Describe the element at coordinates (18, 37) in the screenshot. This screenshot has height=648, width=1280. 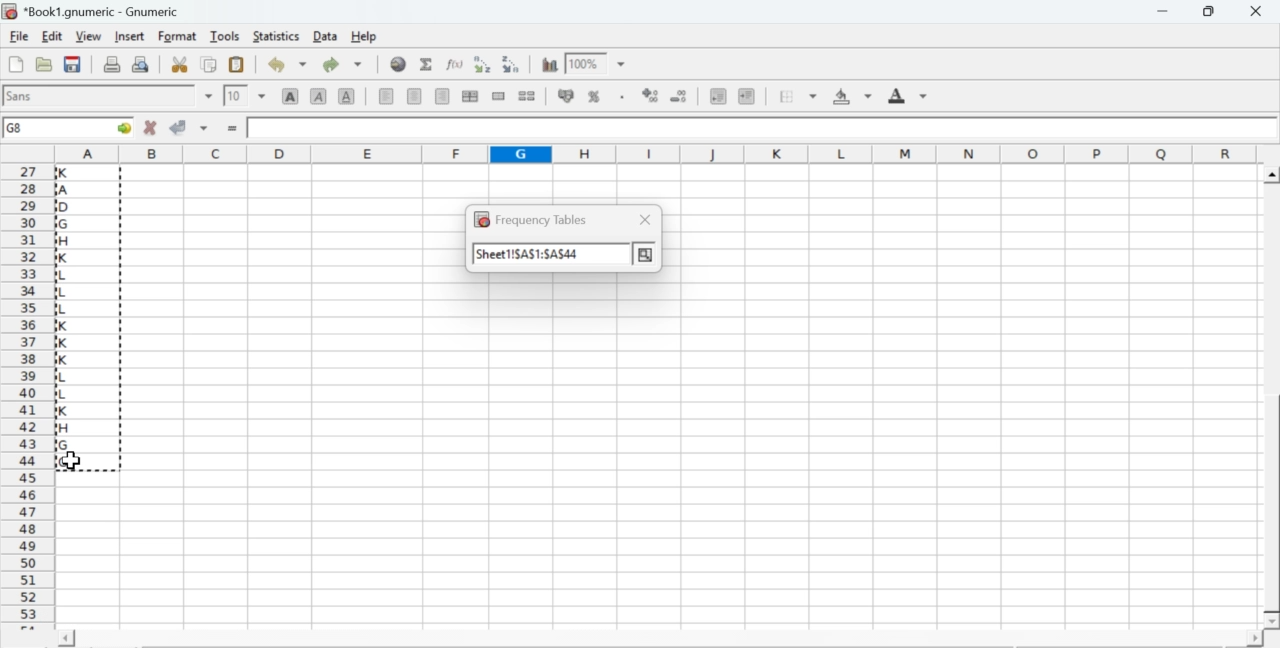
I see `file` at that location.